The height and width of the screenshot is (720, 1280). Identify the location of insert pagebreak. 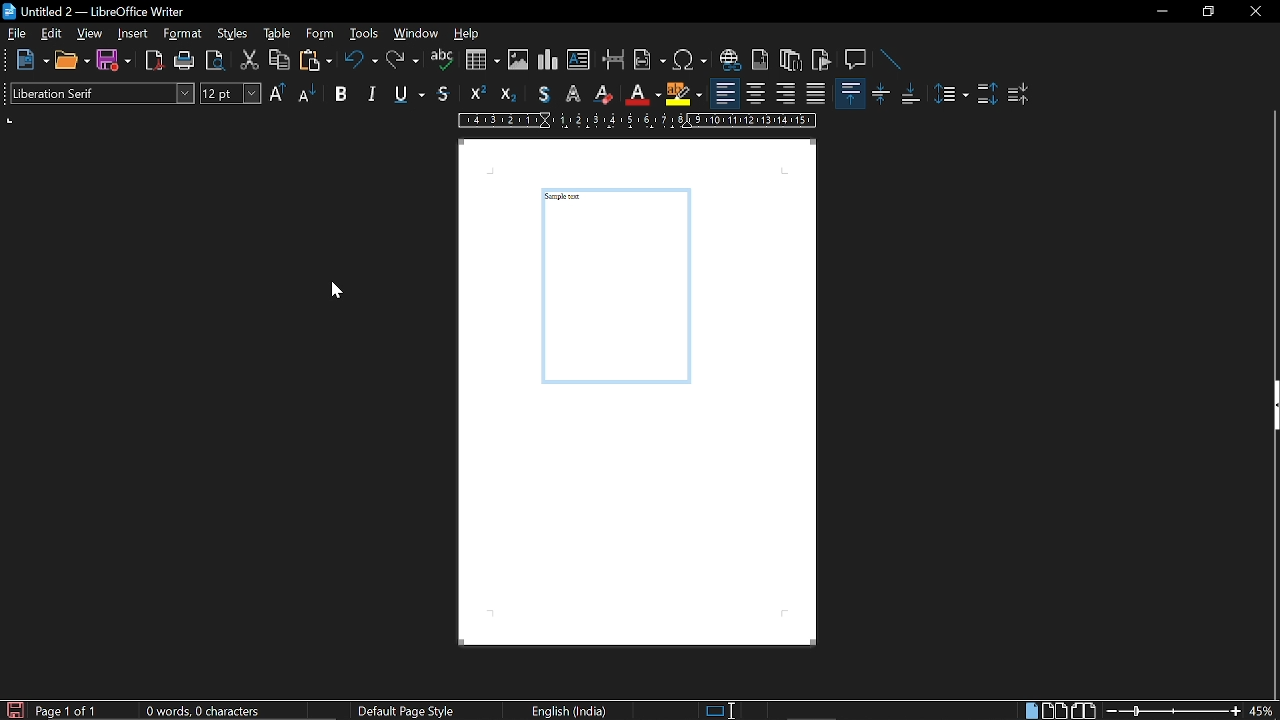
(614, 62).